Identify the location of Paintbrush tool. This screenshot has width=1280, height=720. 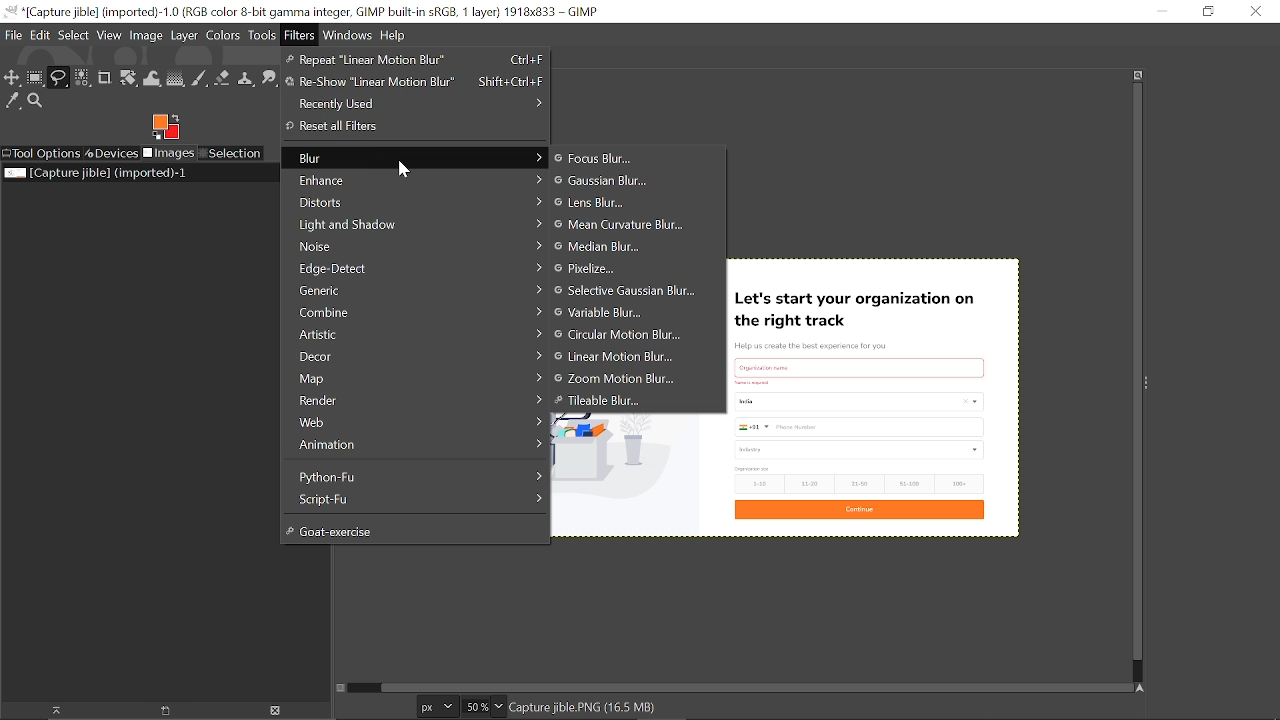
(200, 79).